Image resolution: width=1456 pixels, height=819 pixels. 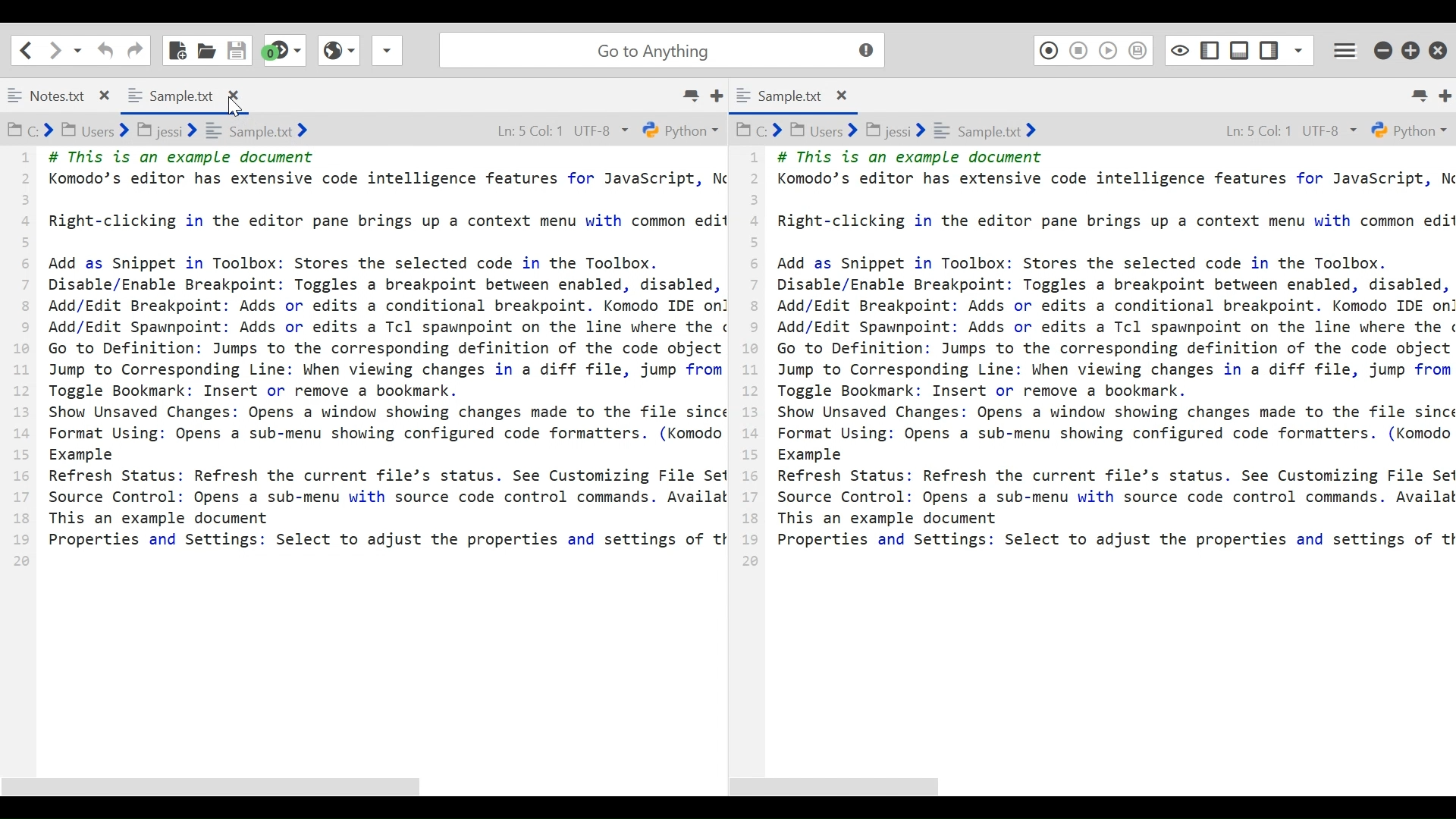 I want to click on Redo, so click(x=135, y=49).